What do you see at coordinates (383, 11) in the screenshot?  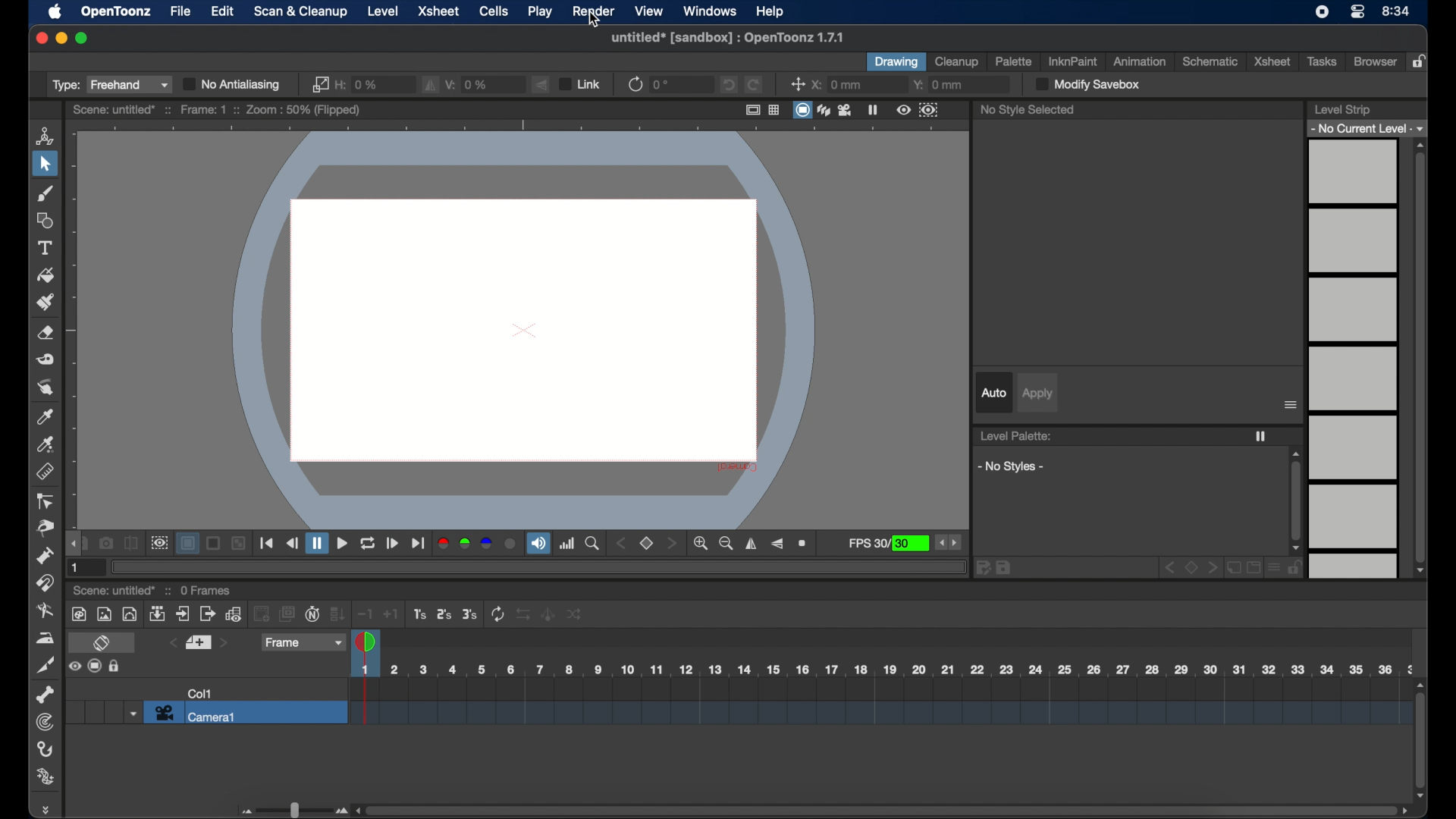 I see `level` at bounding box center [383, 11].